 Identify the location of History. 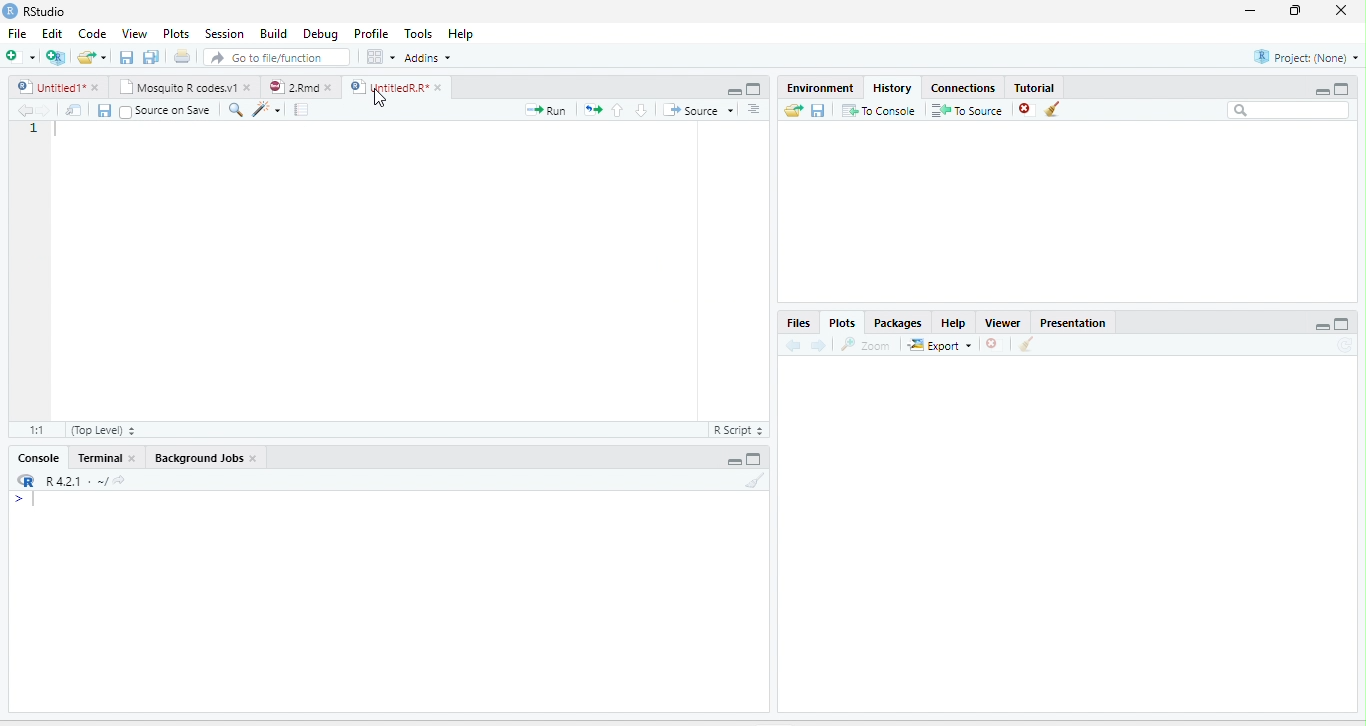
(893, 87).